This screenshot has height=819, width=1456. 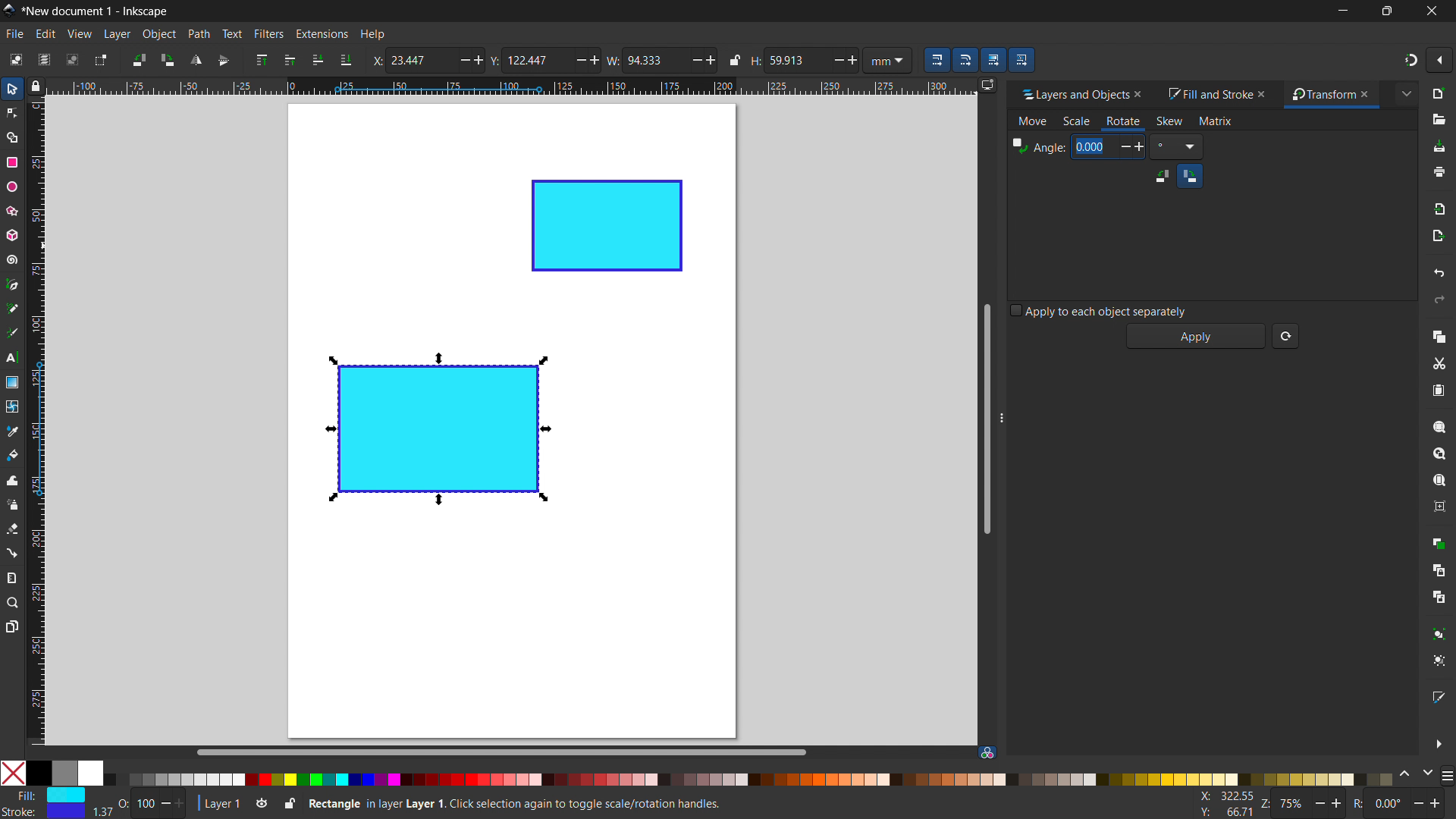 I want to click on import, so click(x=1441, y=208).